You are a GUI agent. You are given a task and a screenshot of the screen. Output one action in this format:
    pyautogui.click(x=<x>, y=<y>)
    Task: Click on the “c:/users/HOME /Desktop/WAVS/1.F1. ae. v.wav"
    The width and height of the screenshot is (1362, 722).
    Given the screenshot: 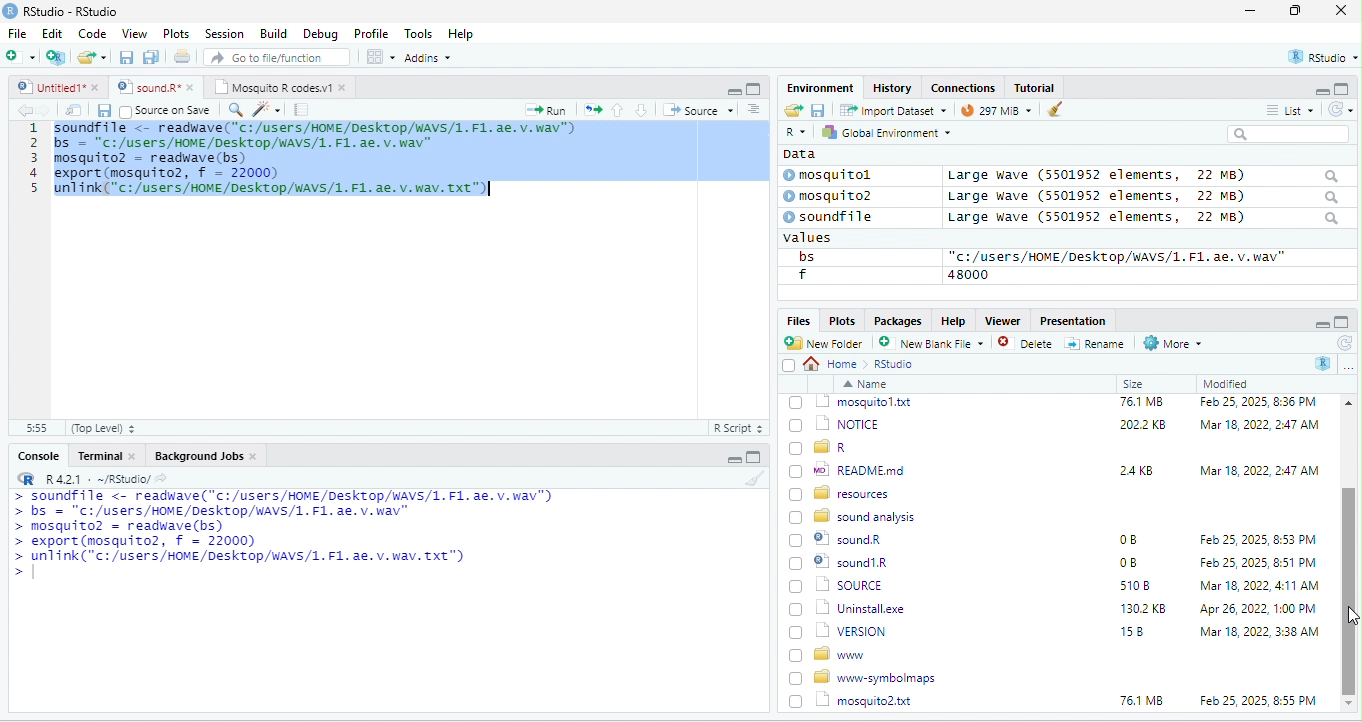 What is the action you would take?
    pyautogui.click(x=1117, y=256)
    